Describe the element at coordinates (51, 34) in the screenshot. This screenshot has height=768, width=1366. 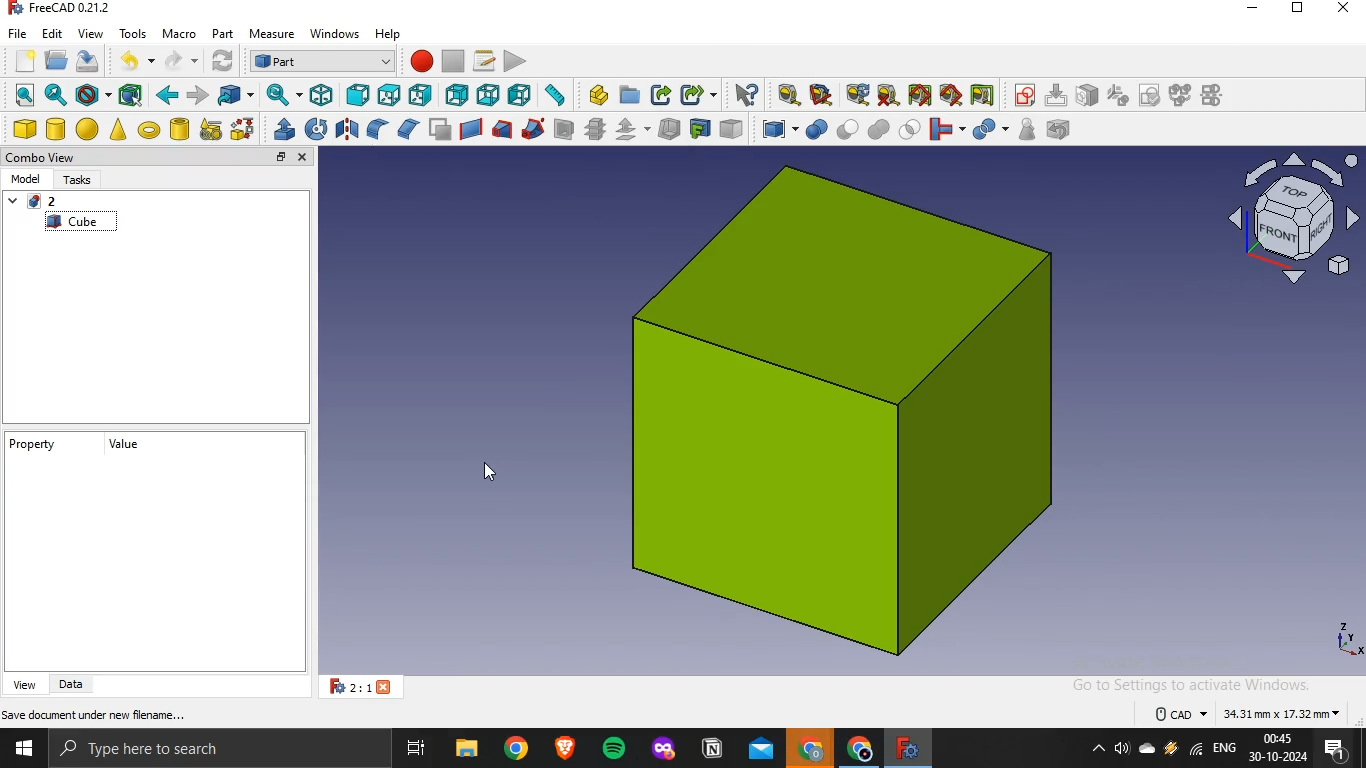
I see `edit` at that location.